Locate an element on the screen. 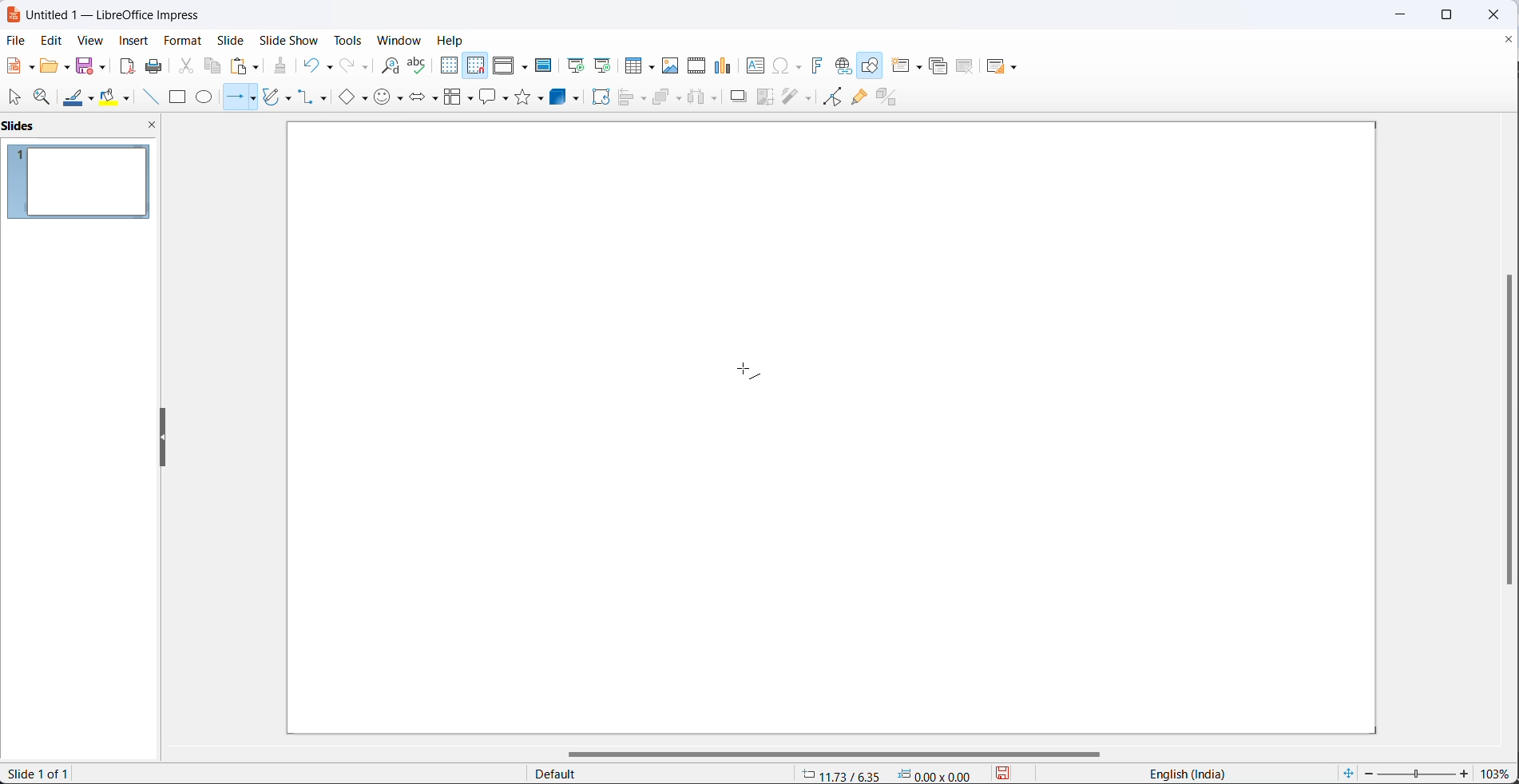  side pane is located at coordinates (83, 127).